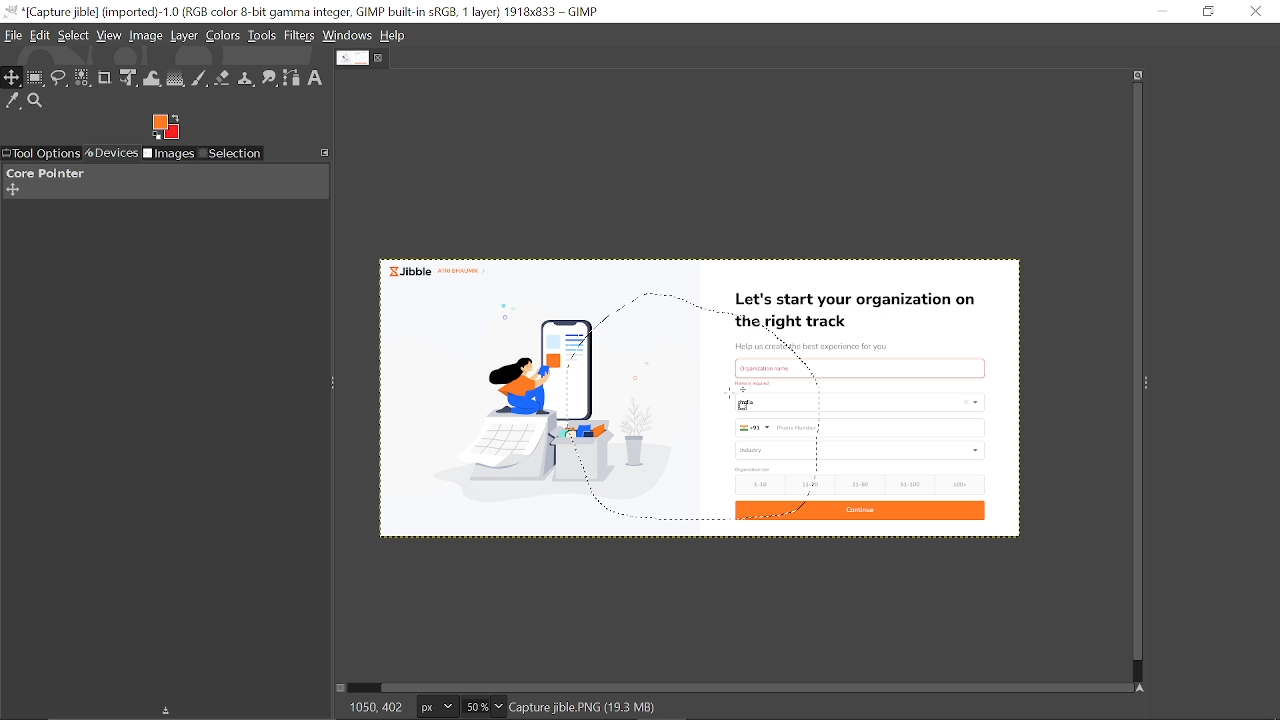 The height and width of the screenshot is (720, 1280). What do you see at coordinates (380, 58) in the screenshot?
I see `Close tab` at bounding box center [380, 58].